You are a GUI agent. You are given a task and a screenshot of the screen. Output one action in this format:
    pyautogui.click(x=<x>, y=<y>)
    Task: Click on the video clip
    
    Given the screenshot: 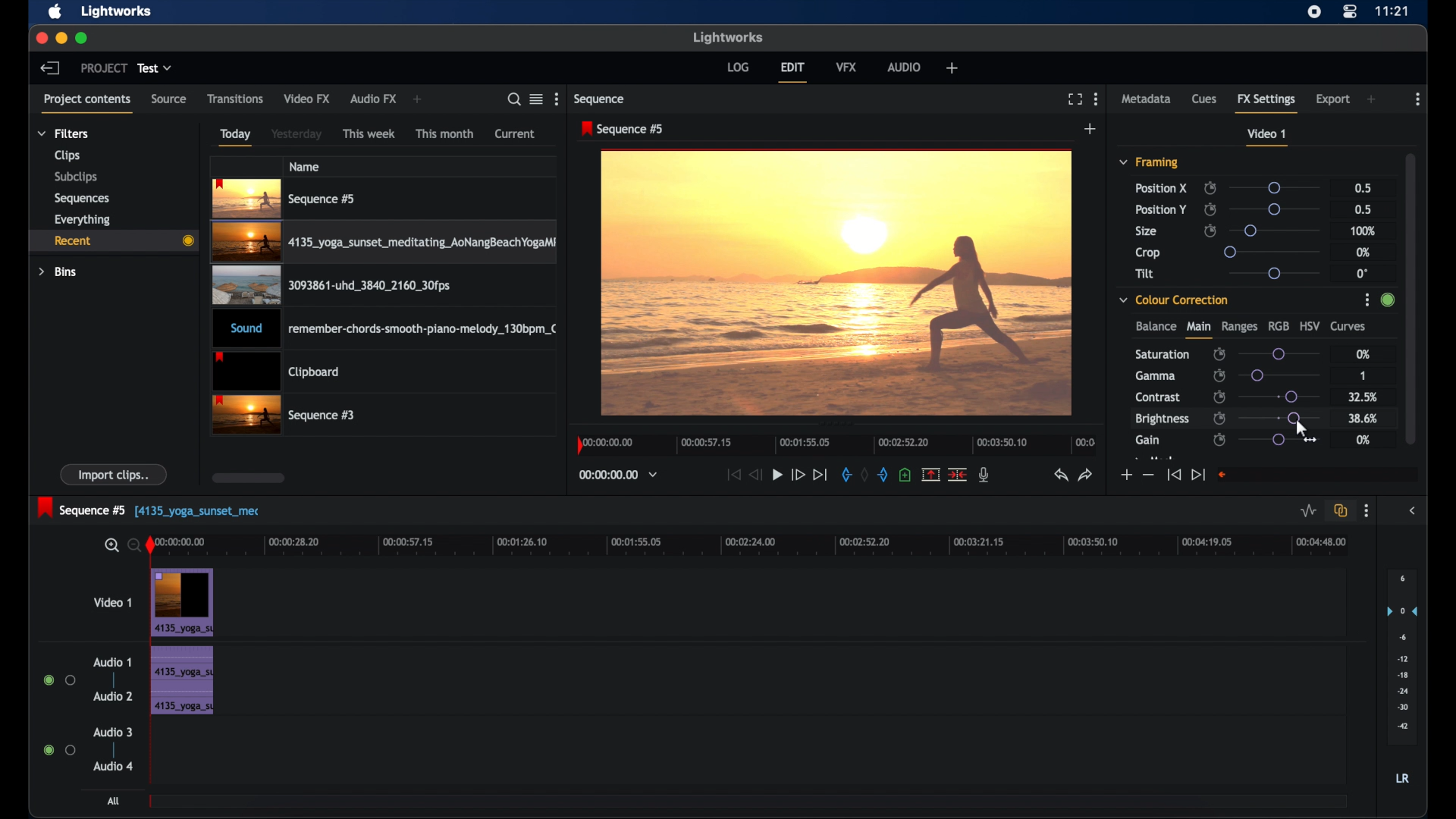 What is the action you would take?
    pyautogui.click(x=329, y=288)
    